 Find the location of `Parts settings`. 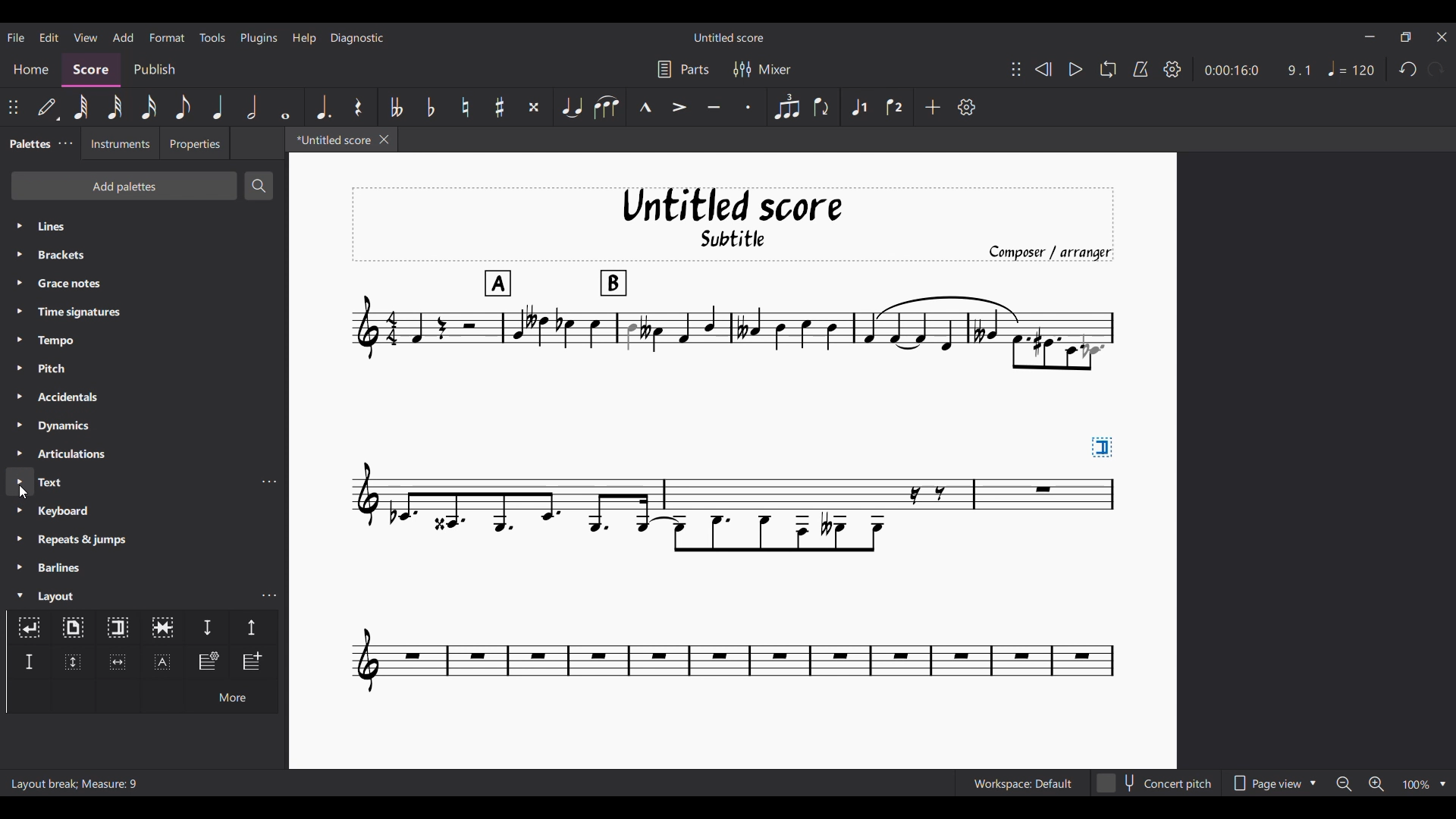

Parts settings is located at coordinates (684, 69).